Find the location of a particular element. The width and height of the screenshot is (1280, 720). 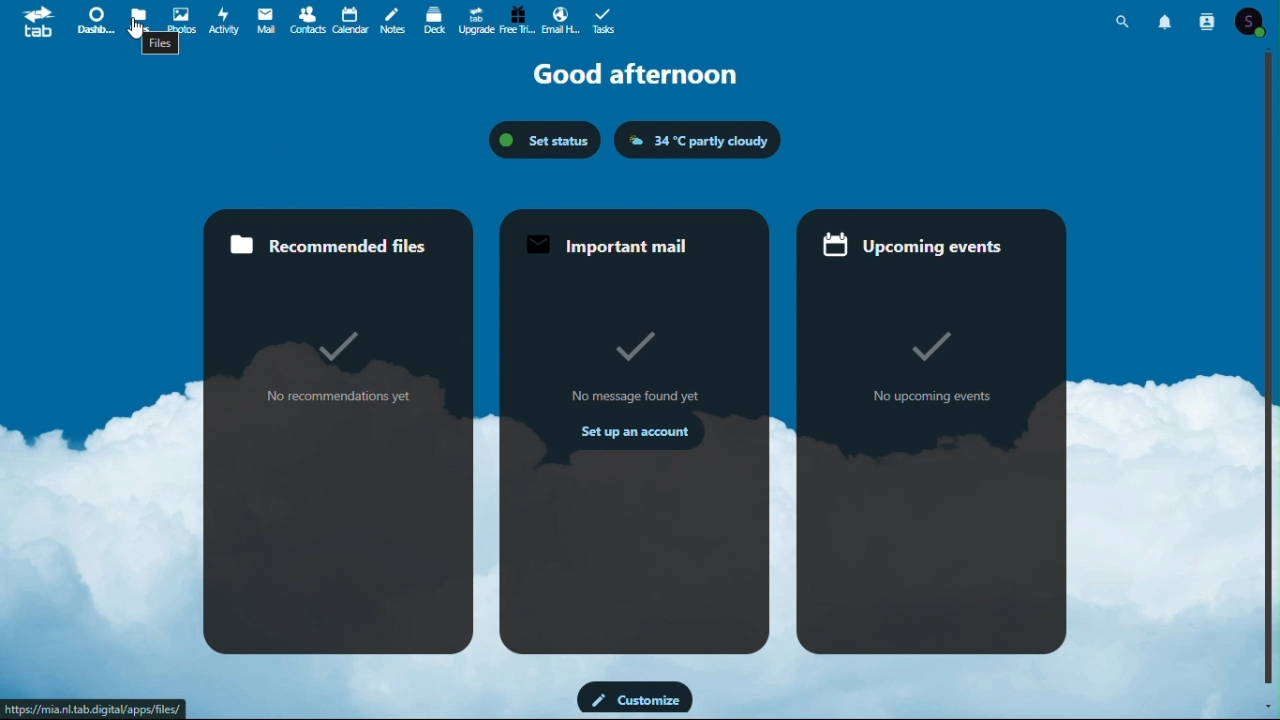

Account icon is located at coordinates (1255, 20).